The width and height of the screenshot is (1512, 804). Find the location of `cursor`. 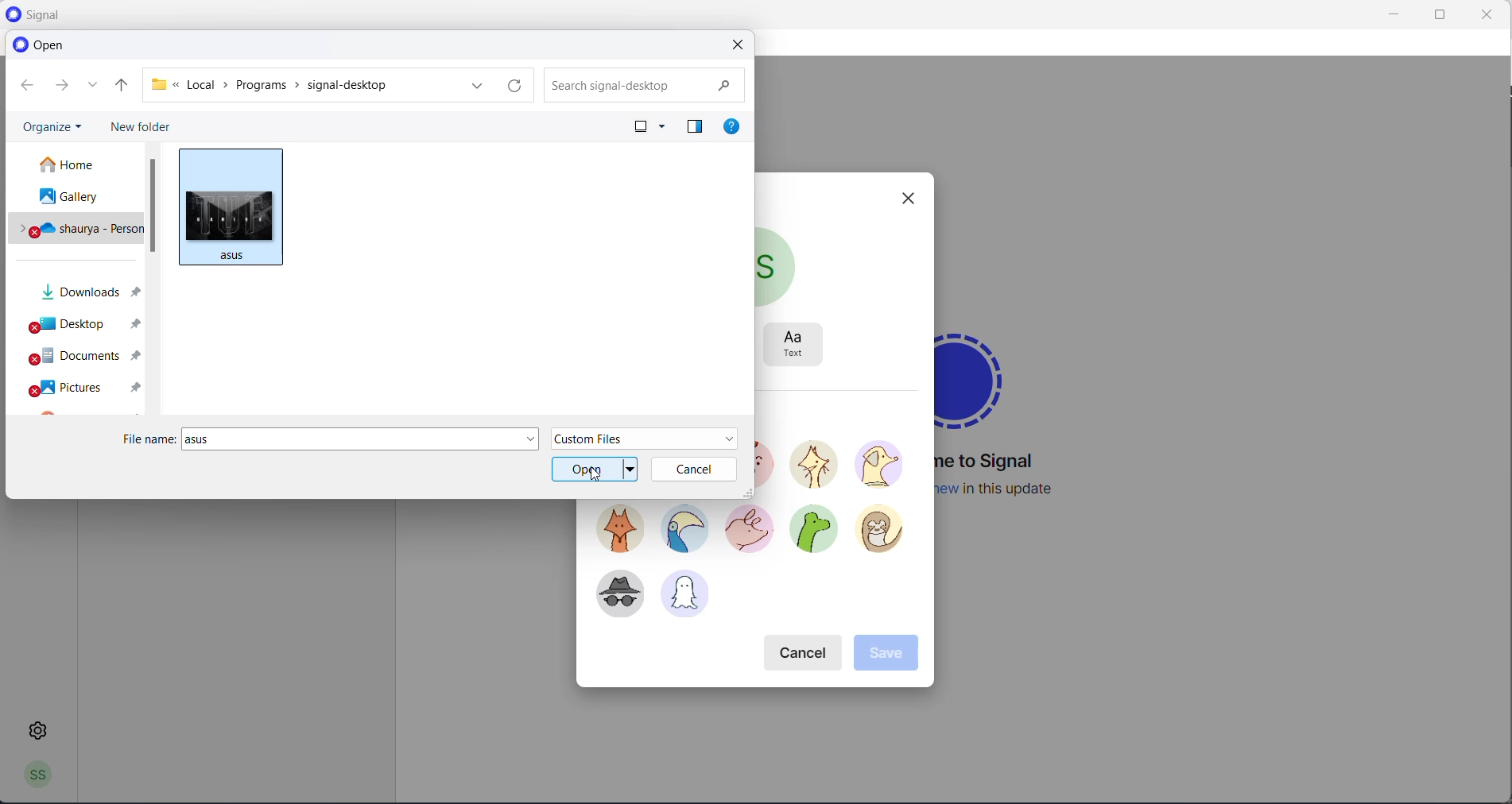

cursor is located at coordinates (595, 477).